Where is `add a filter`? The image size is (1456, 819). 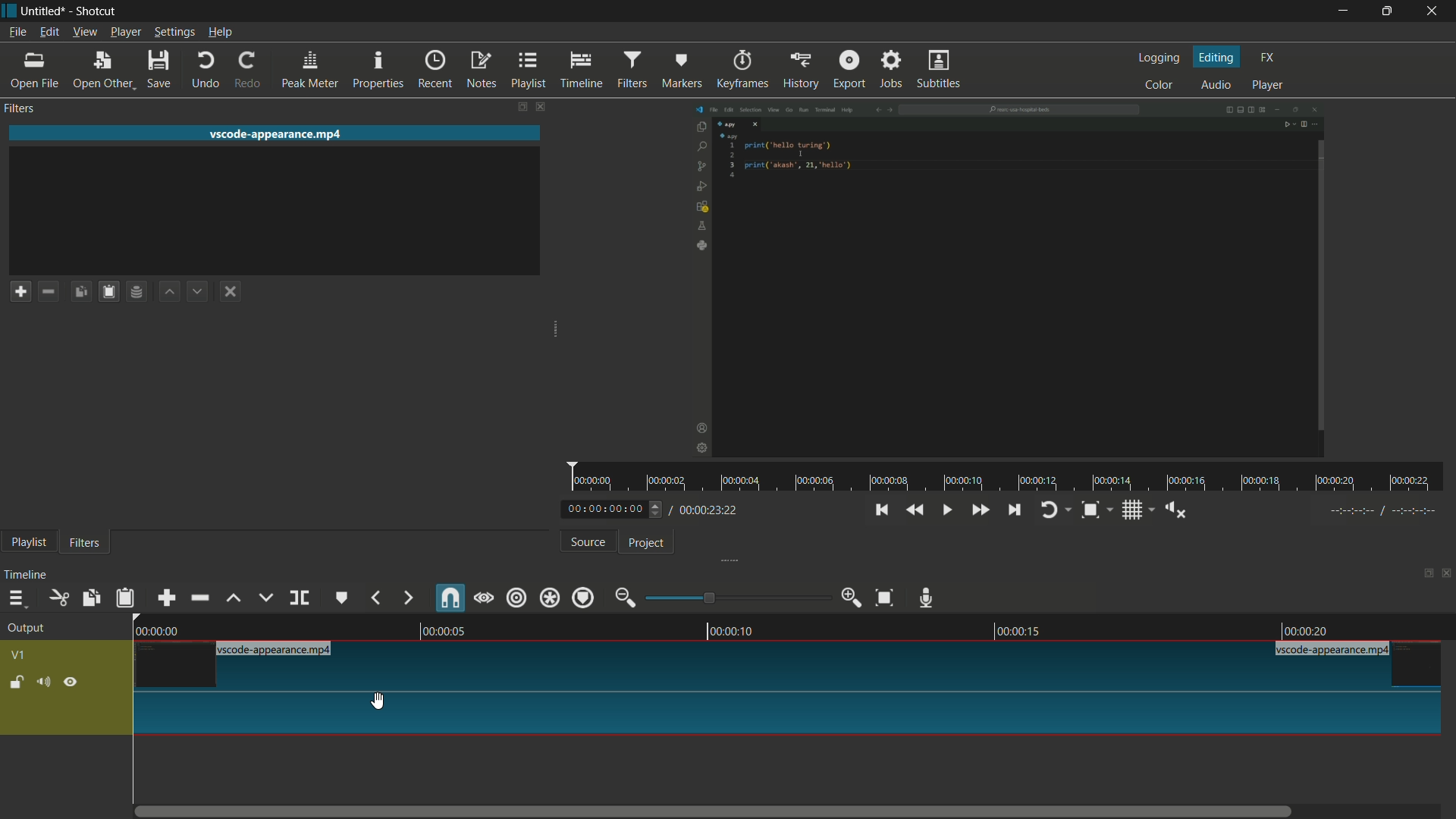
add a filter is located at coordinates (20, 290).